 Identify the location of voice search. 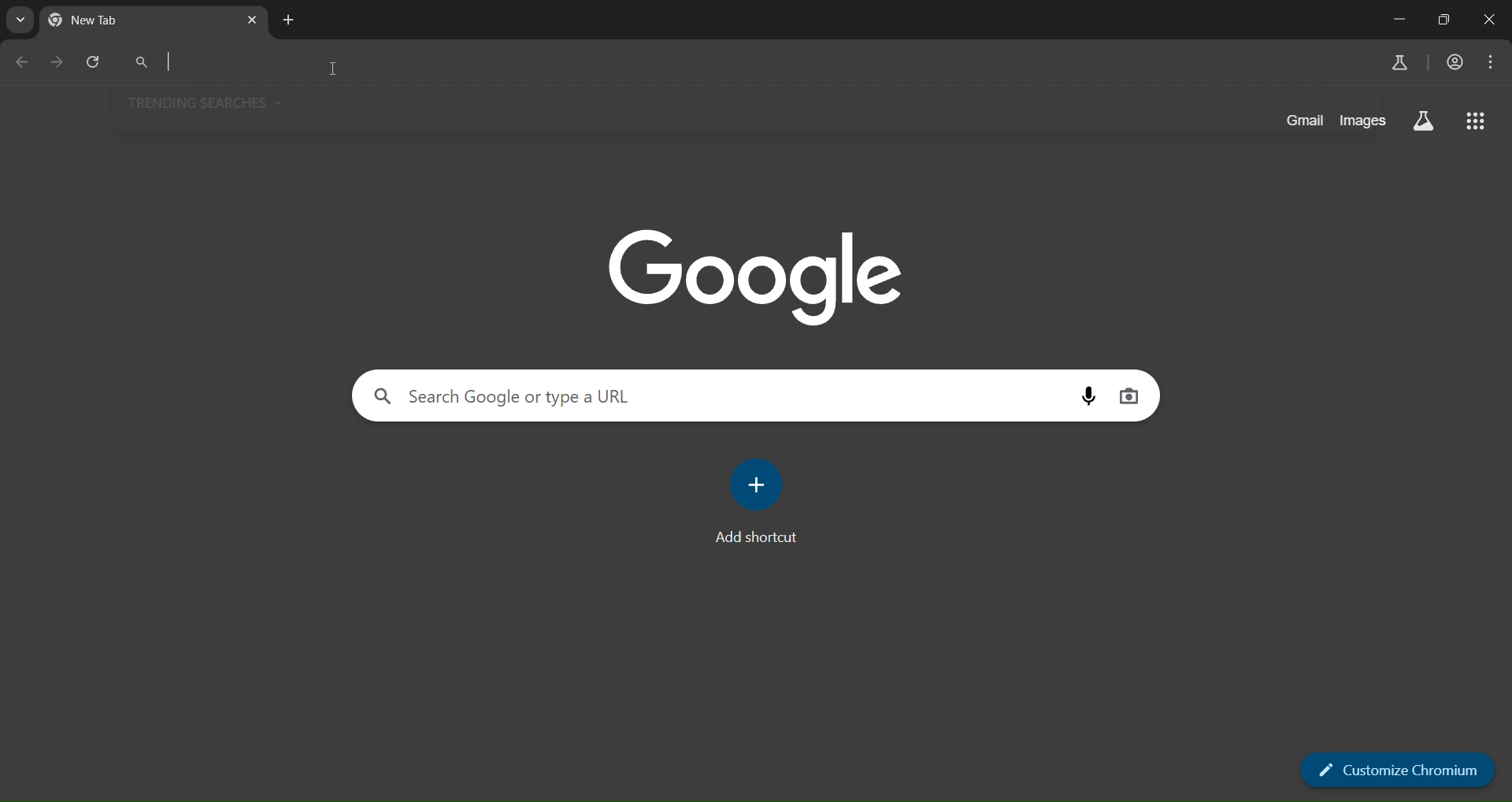
(1088, 395).